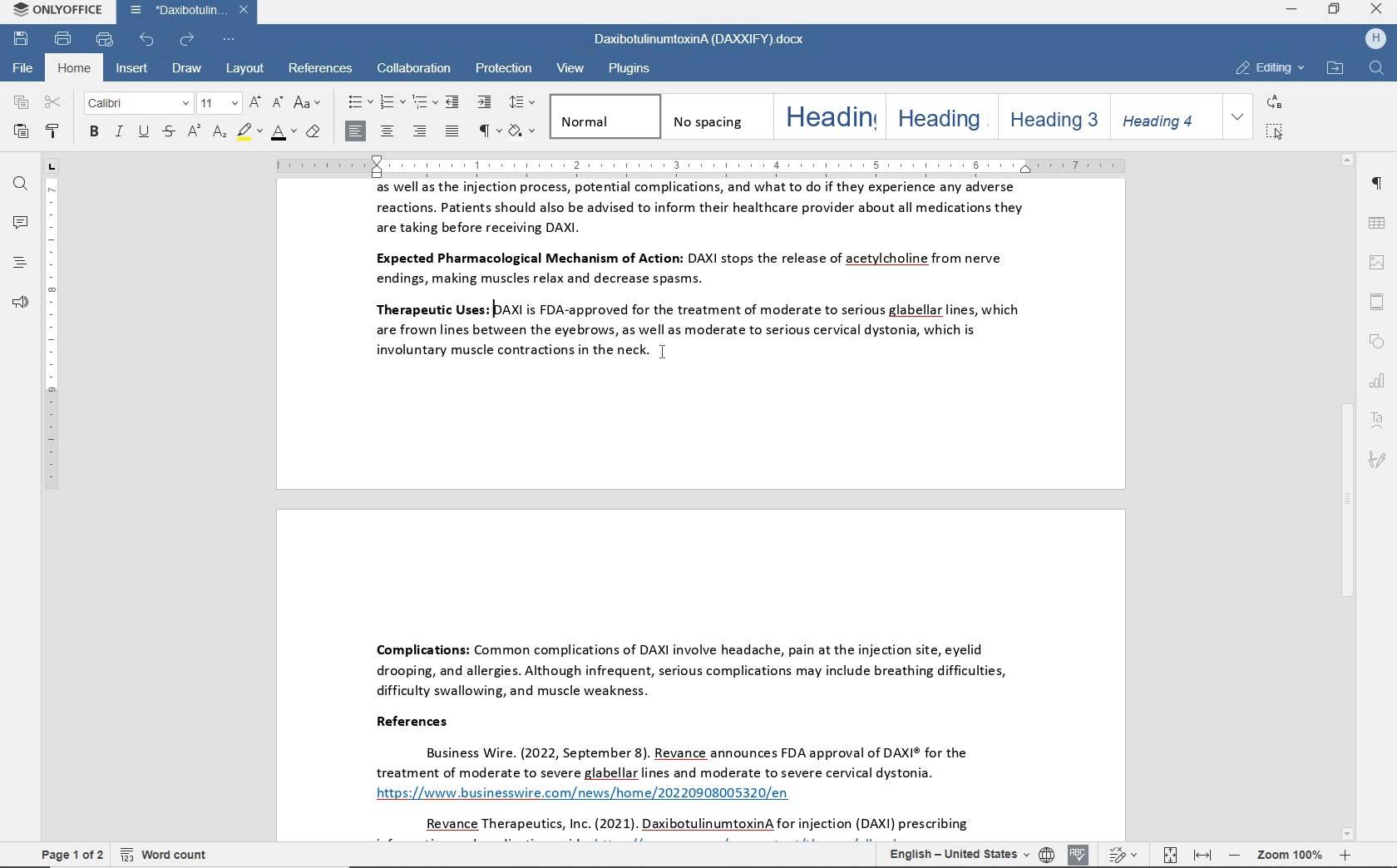 This screenshot has width=1397, height=868. I want to click on highlight color, so click(250, 133).